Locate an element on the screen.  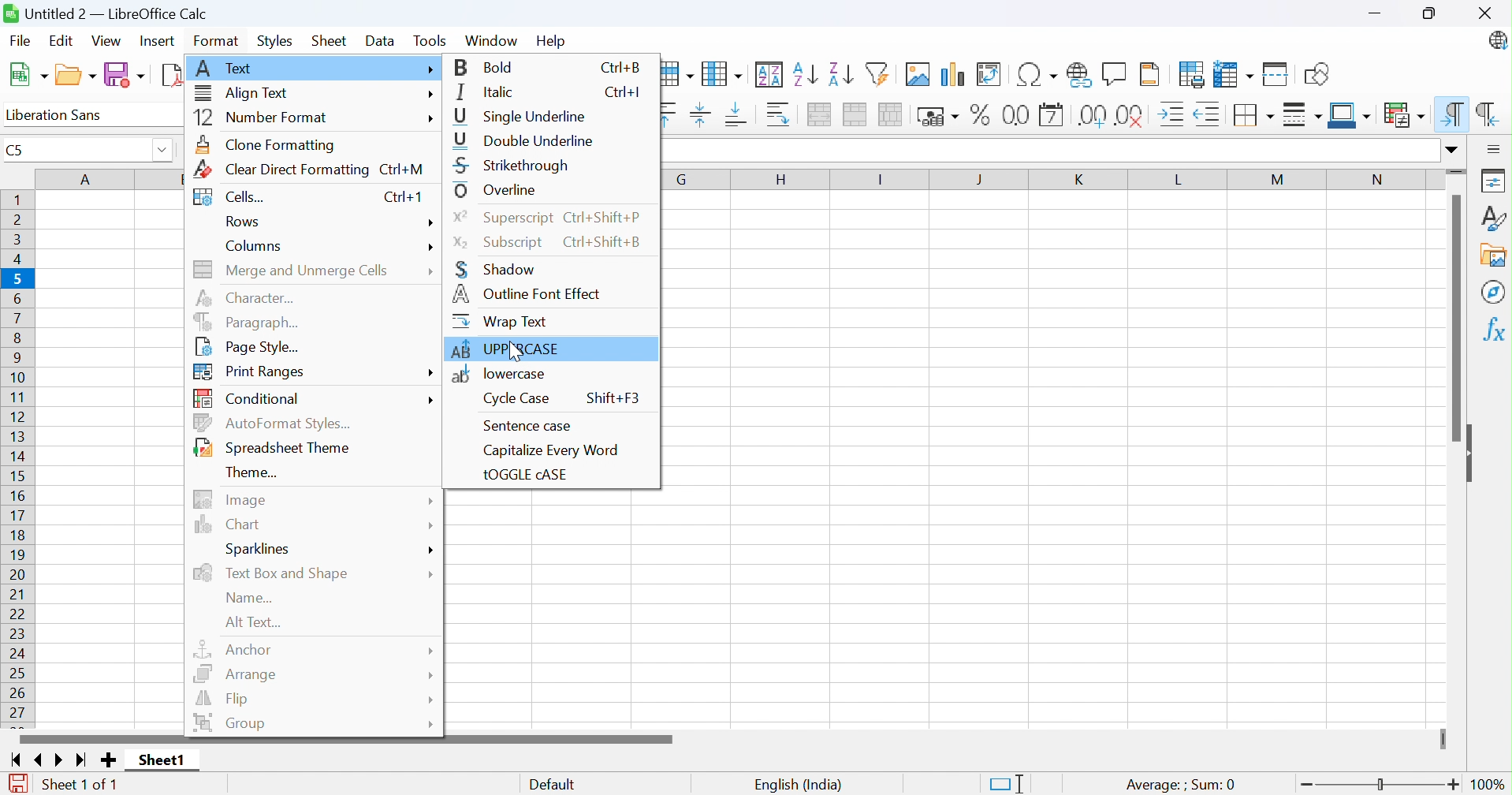
Freeze rows and columns is located at coordinates (1234, 75).